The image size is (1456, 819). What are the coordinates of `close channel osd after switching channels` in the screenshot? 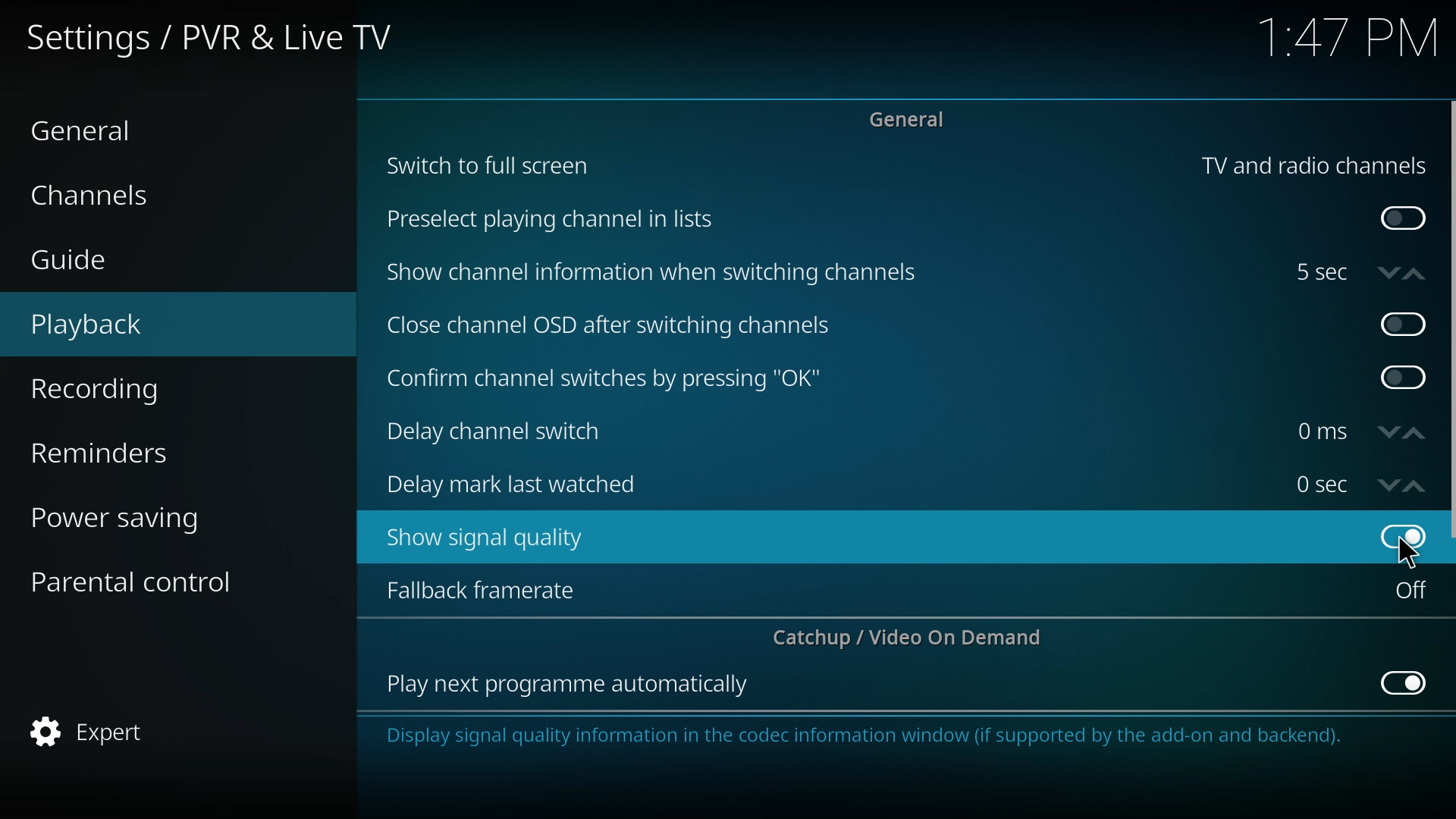 It's located at (613, 327).